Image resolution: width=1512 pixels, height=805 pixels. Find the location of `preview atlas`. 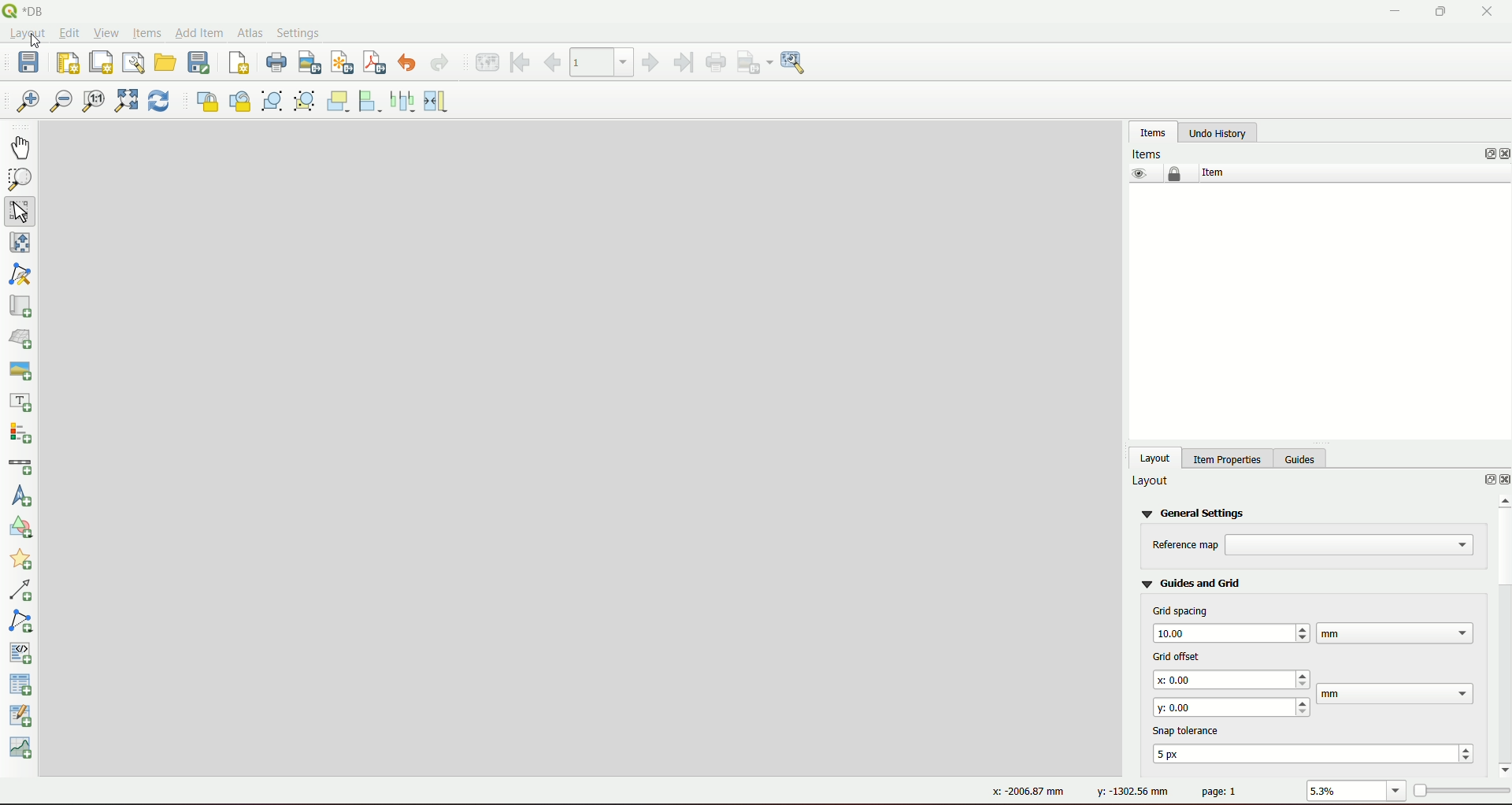

preview atlas is located at coordinates (486, 63).